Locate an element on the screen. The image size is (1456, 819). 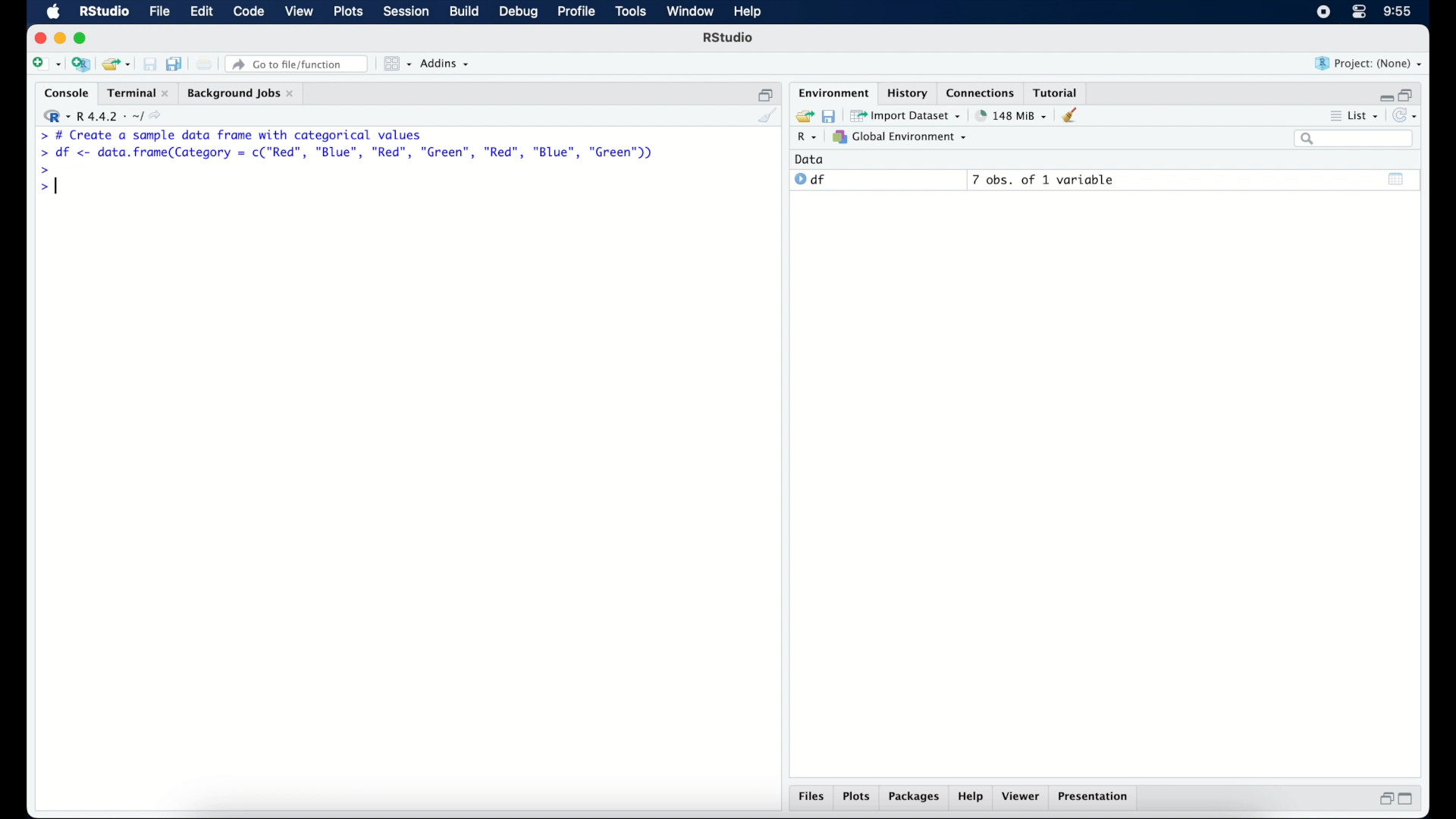
load workspace is located at coordinates (802, 114).